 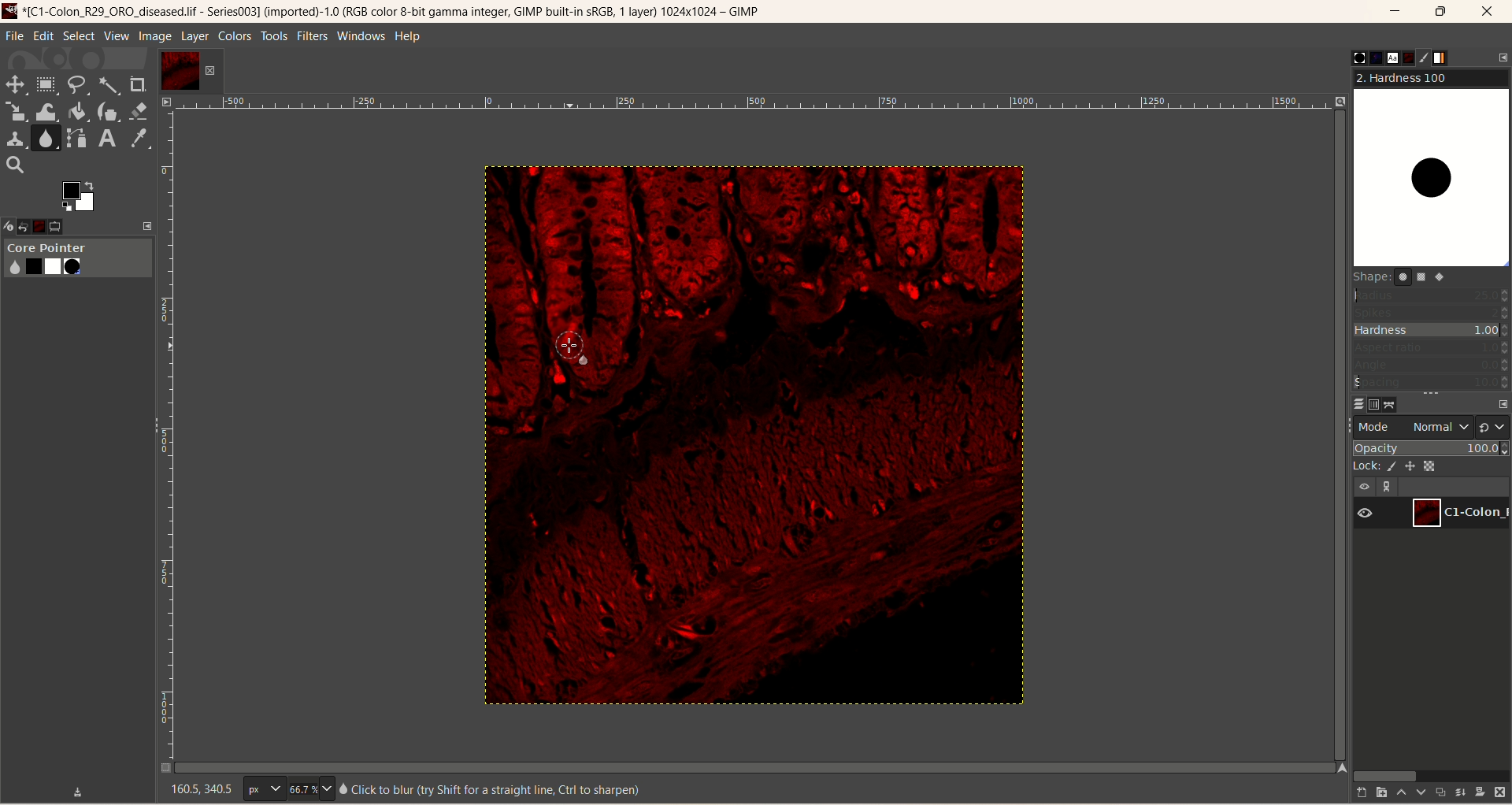 I want to click on zoom factor, so click(x=309, y=789).